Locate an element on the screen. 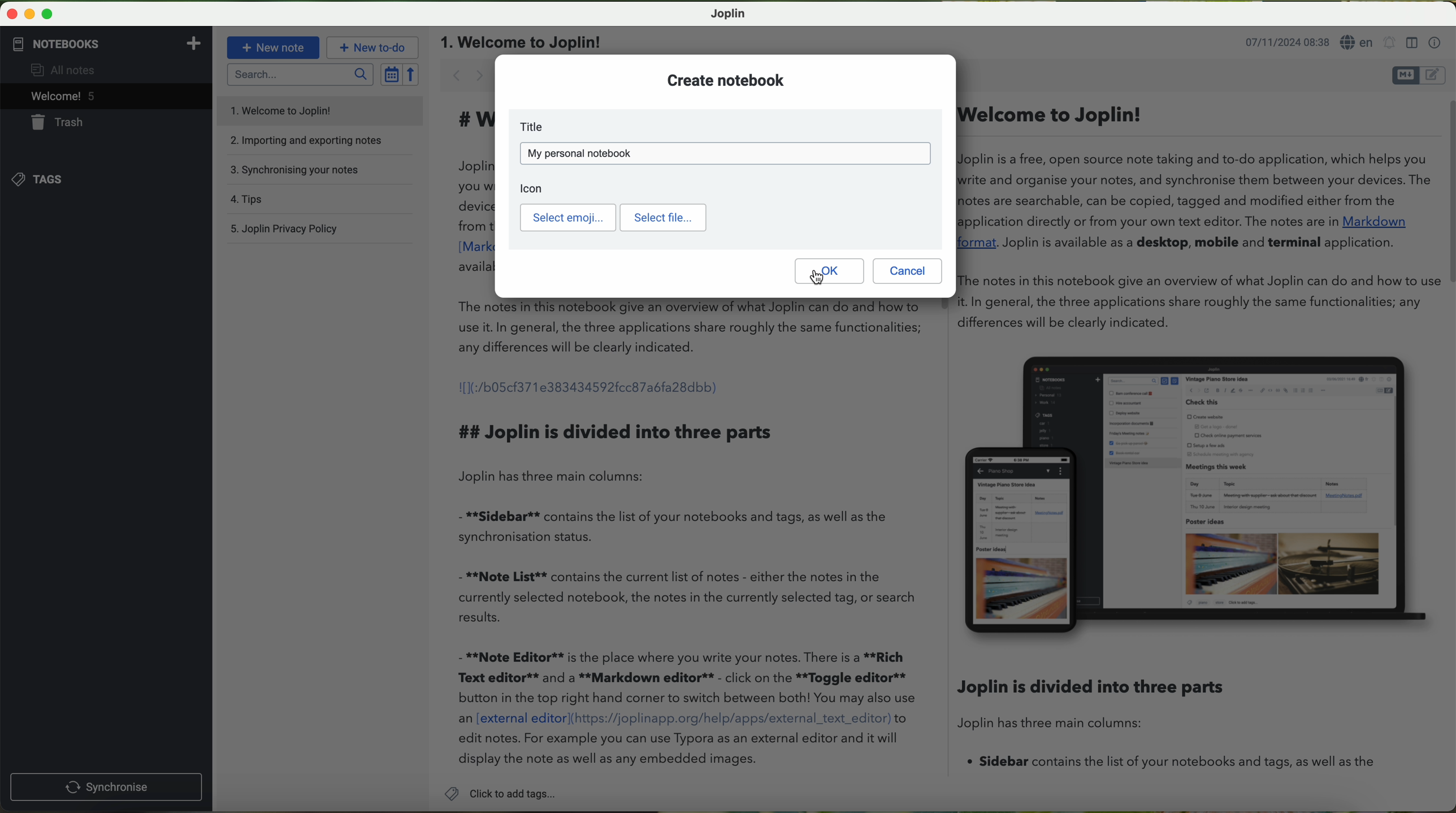 This screenshot has width=1456, height=813. select file is located at coordinates (662, 218).